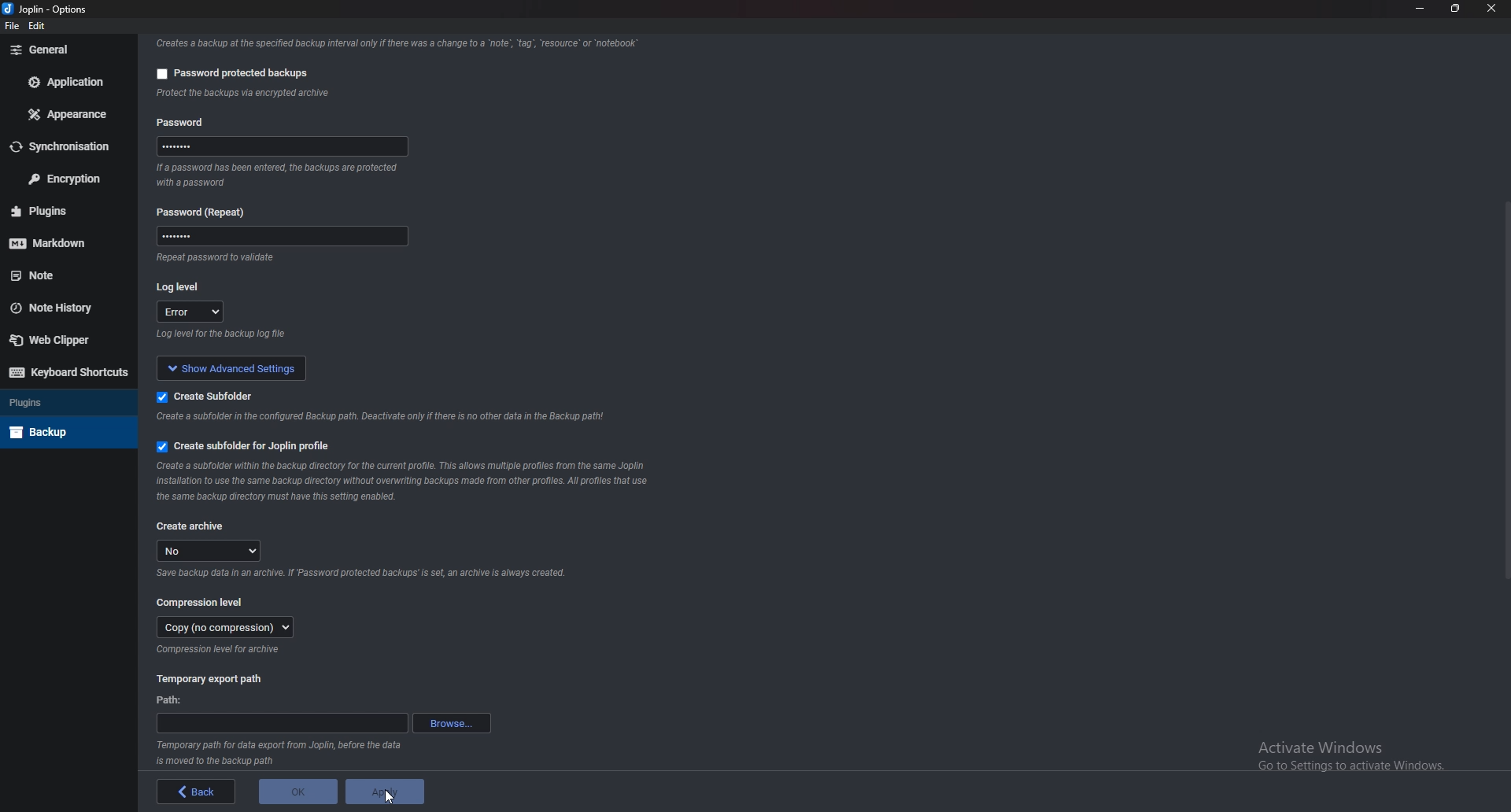 The height and width of the screenshot is (812, 1511). I want to click on Temporary export path, so click(209, 679).